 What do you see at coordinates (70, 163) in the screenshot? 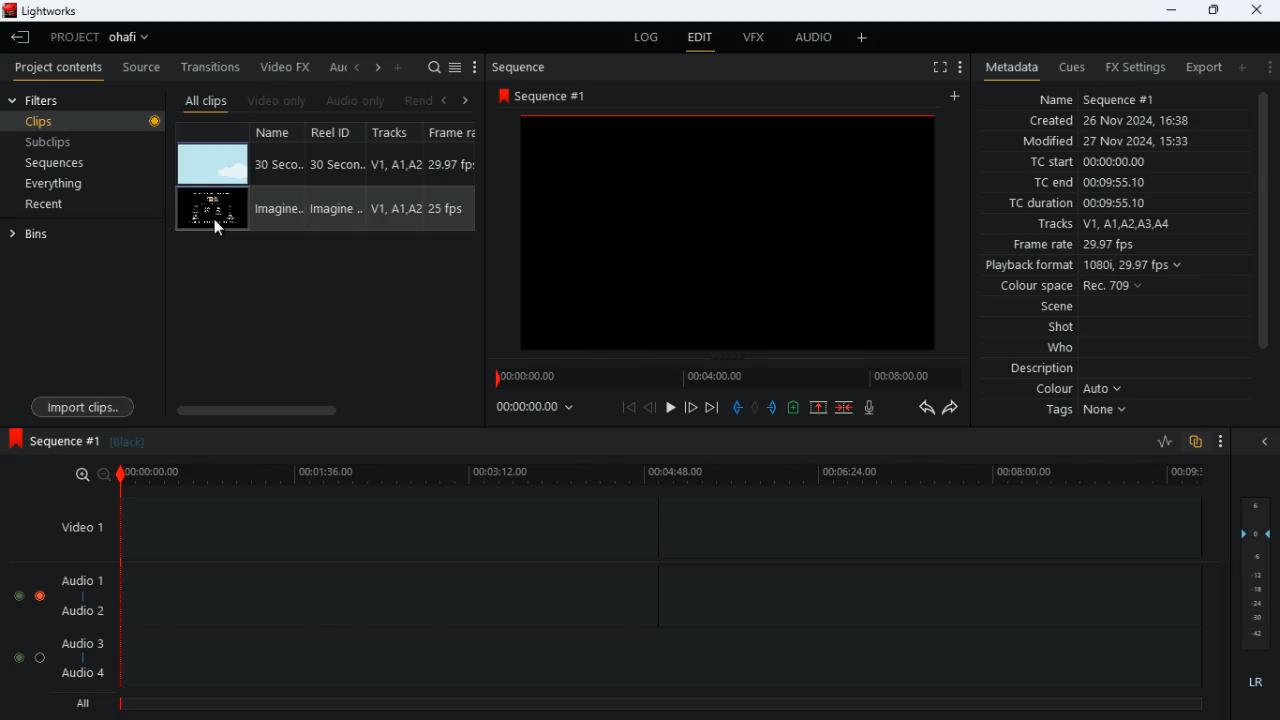
I see `sequences` at bounding box center [70, 163].